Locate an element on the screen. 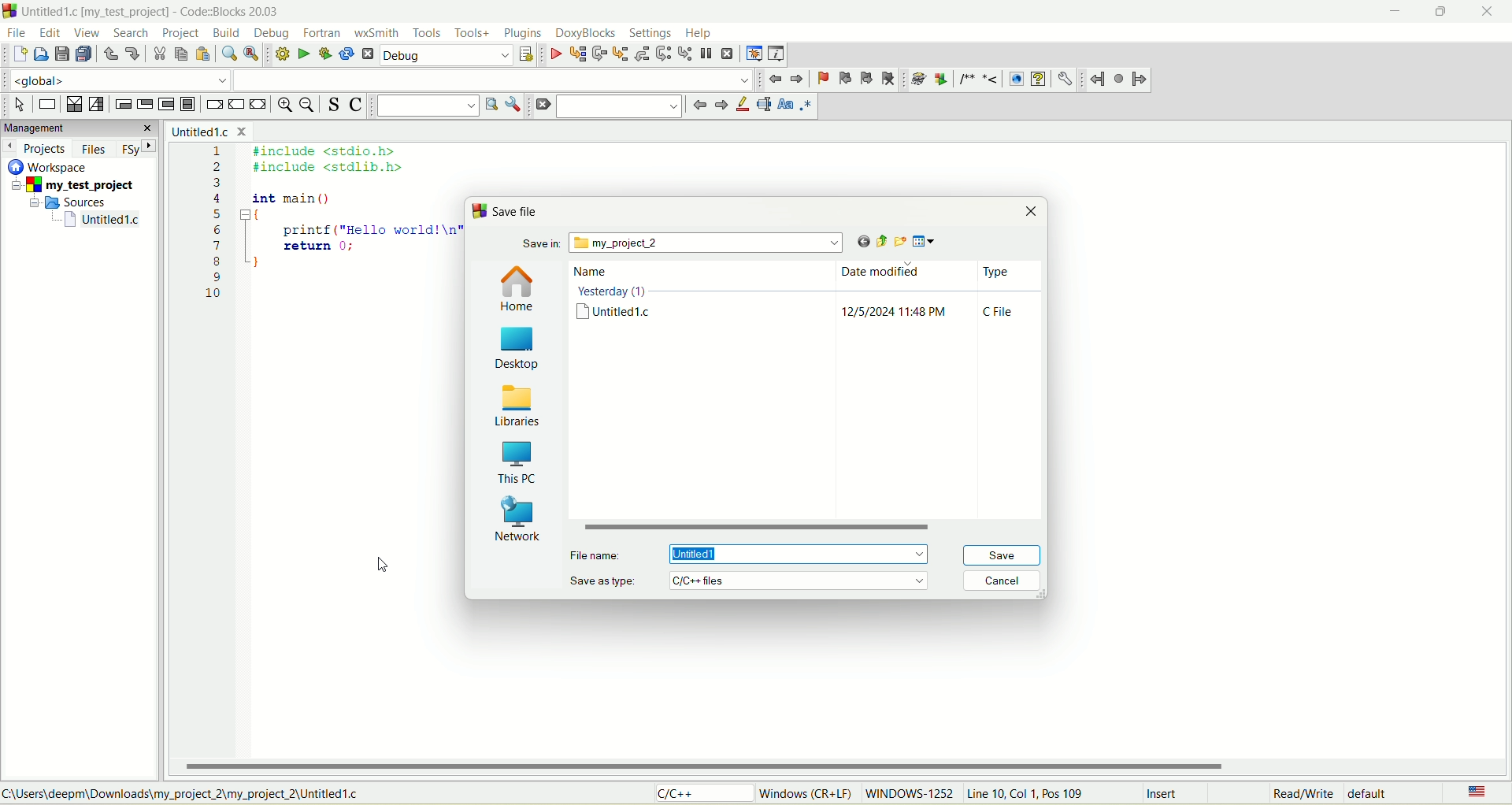 The width and height of the screenshot is (1512, 805). name is located at coordinates (617, 297).